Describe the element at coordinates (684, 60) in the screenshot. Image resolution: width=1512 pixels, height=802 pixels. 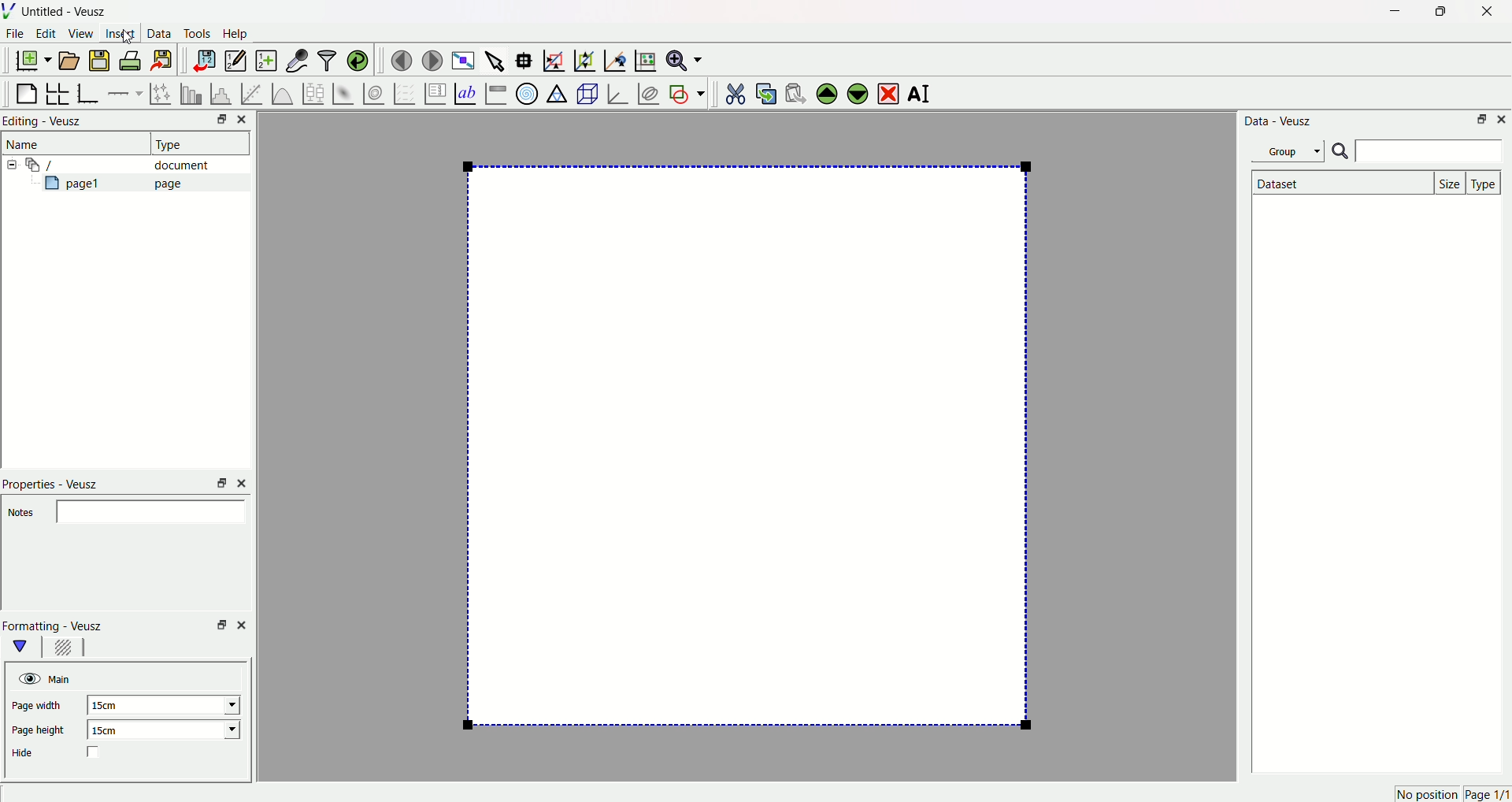
I see `zoom functions` at that location.